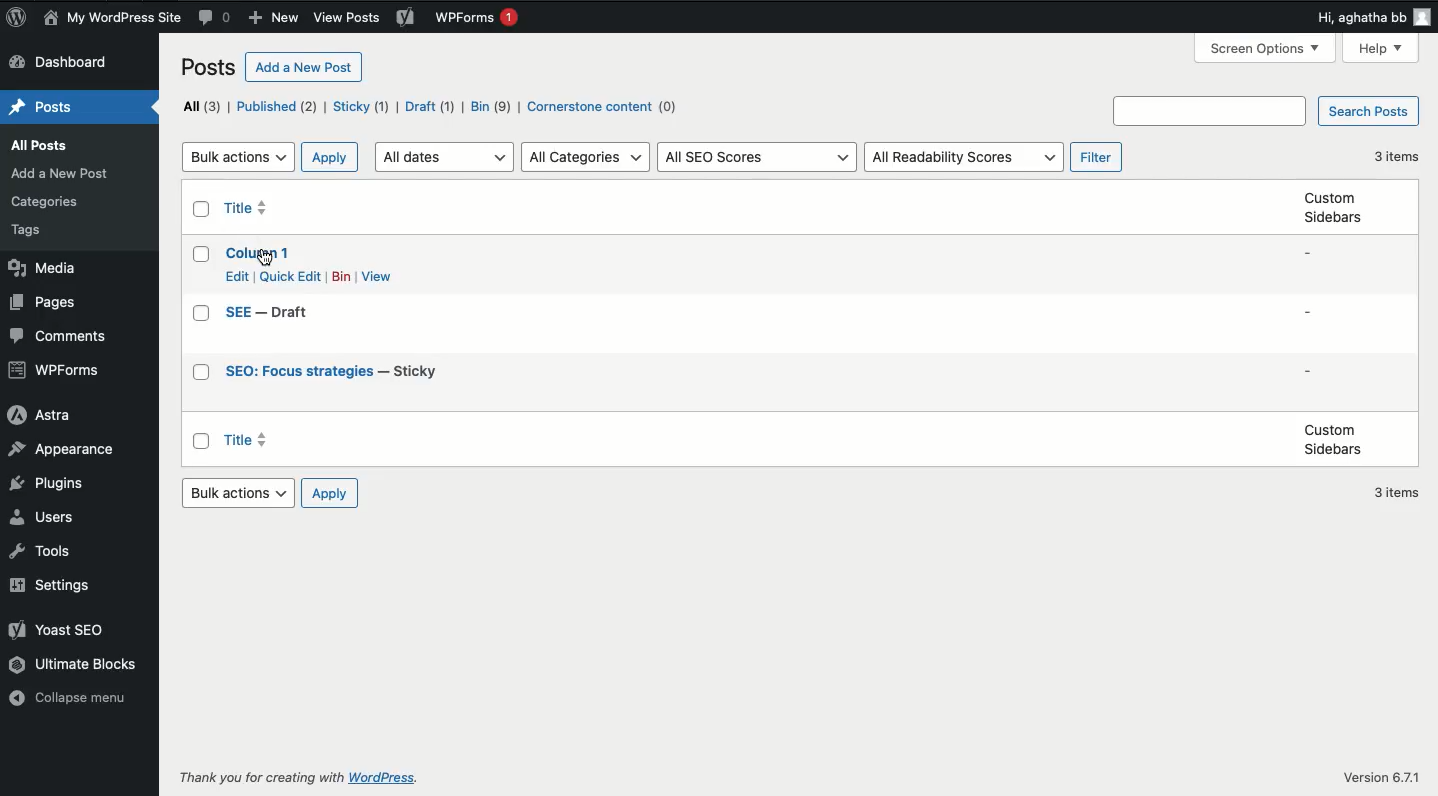 The image size is (1438, 796). Describe the element at coordinates (203, 106) in the screenshot. I see `All` at that location.